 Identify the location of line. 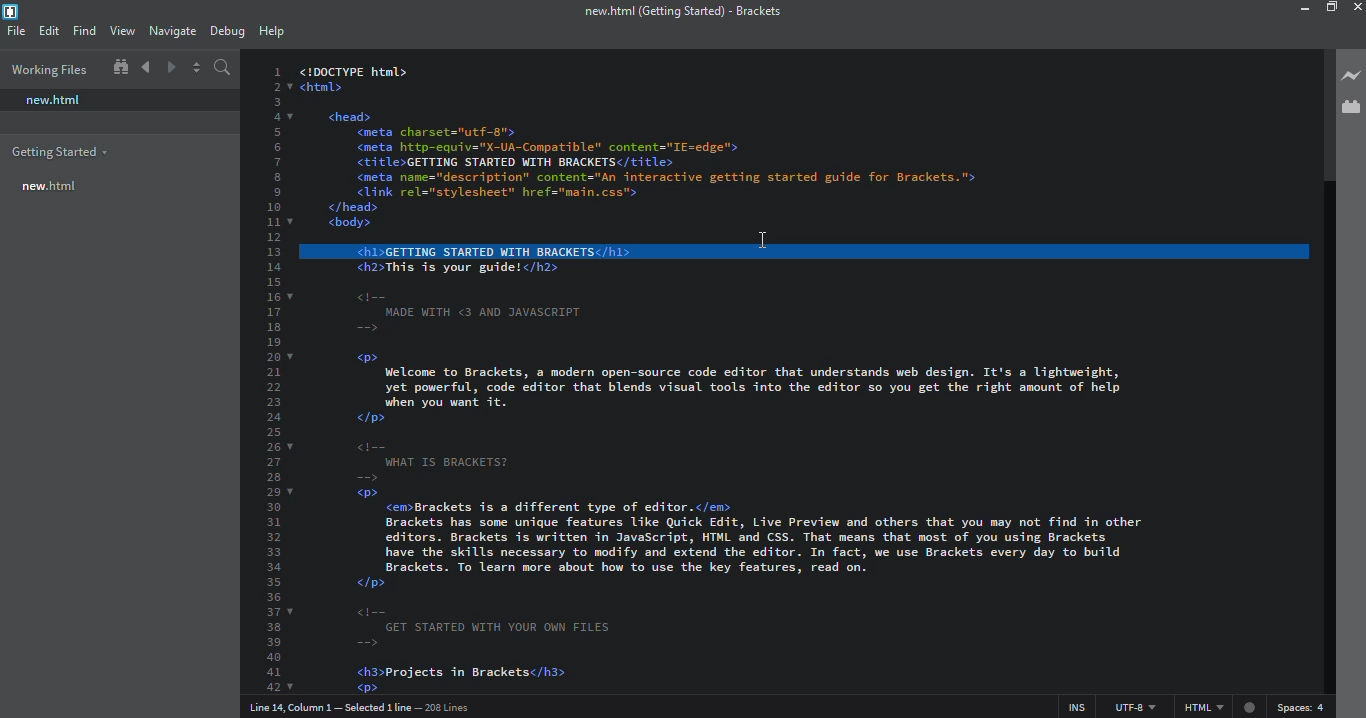
(326, 707).